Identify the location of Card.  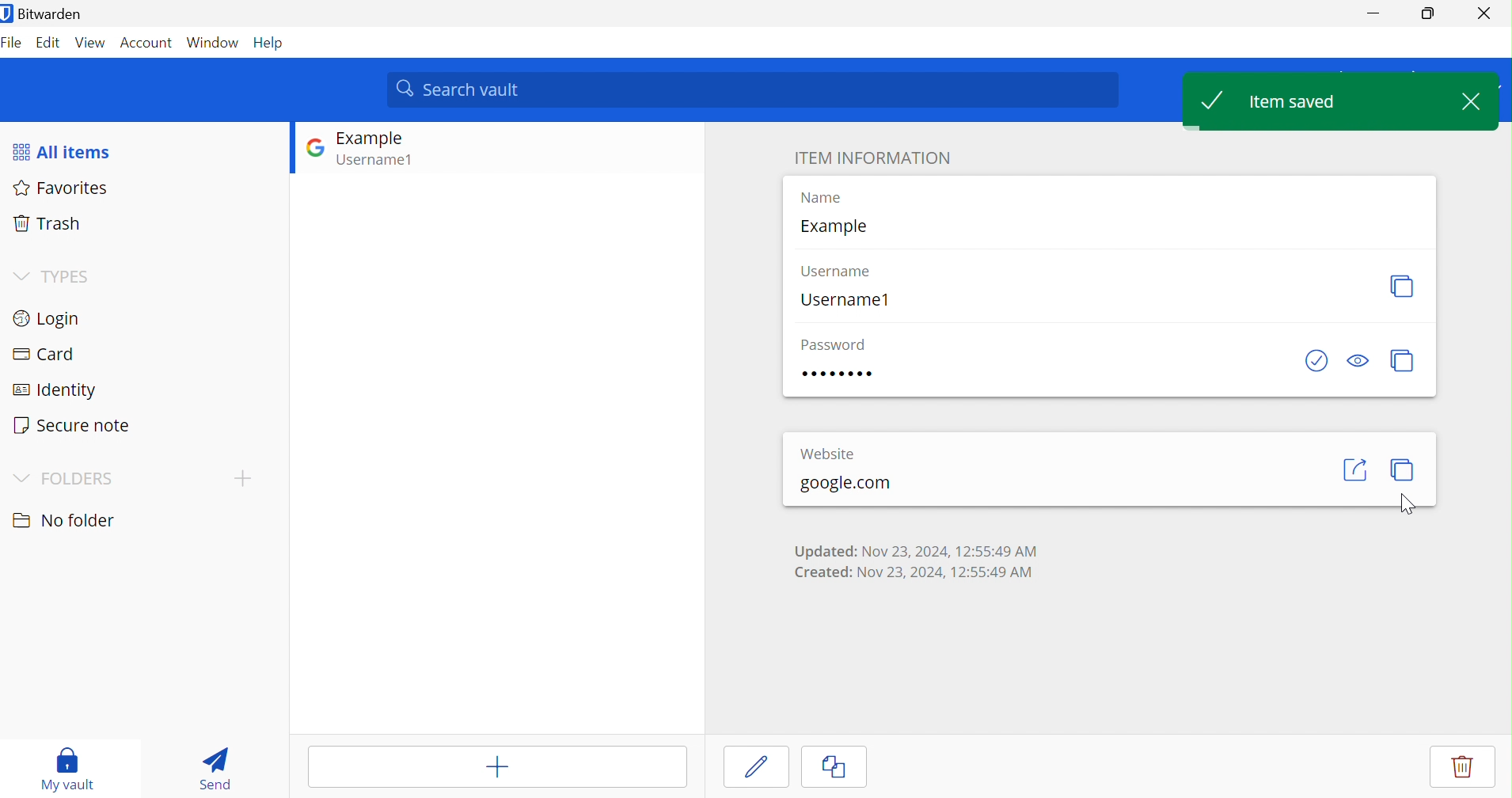
(44, 352).